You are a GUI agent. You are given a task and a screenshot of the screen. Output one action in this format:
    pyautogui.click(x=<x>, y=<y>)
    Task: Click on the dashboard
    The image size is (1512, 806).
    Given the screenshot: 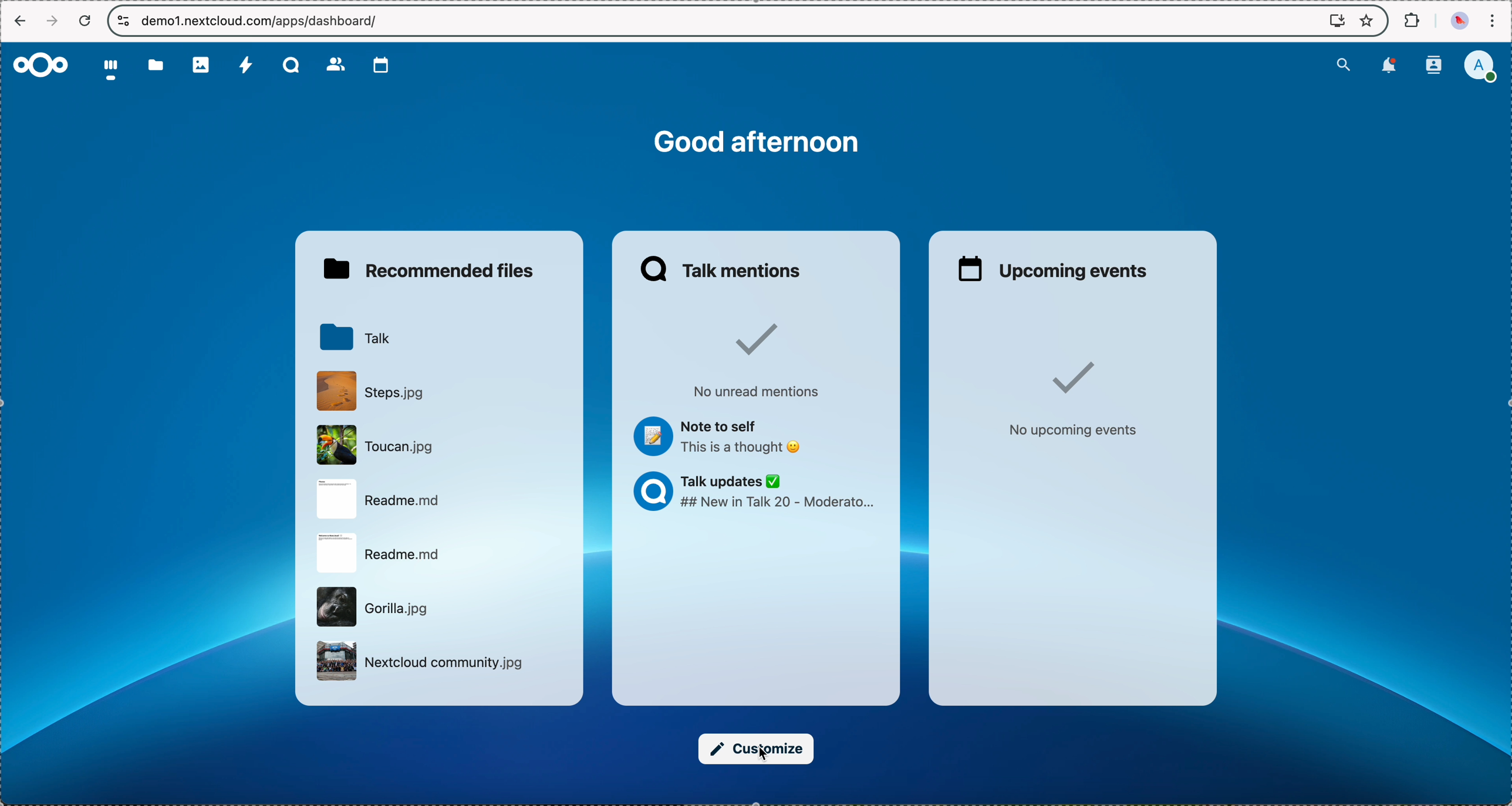 What is the action you would take?
    pyautogui.click(x=109, y=69)
    